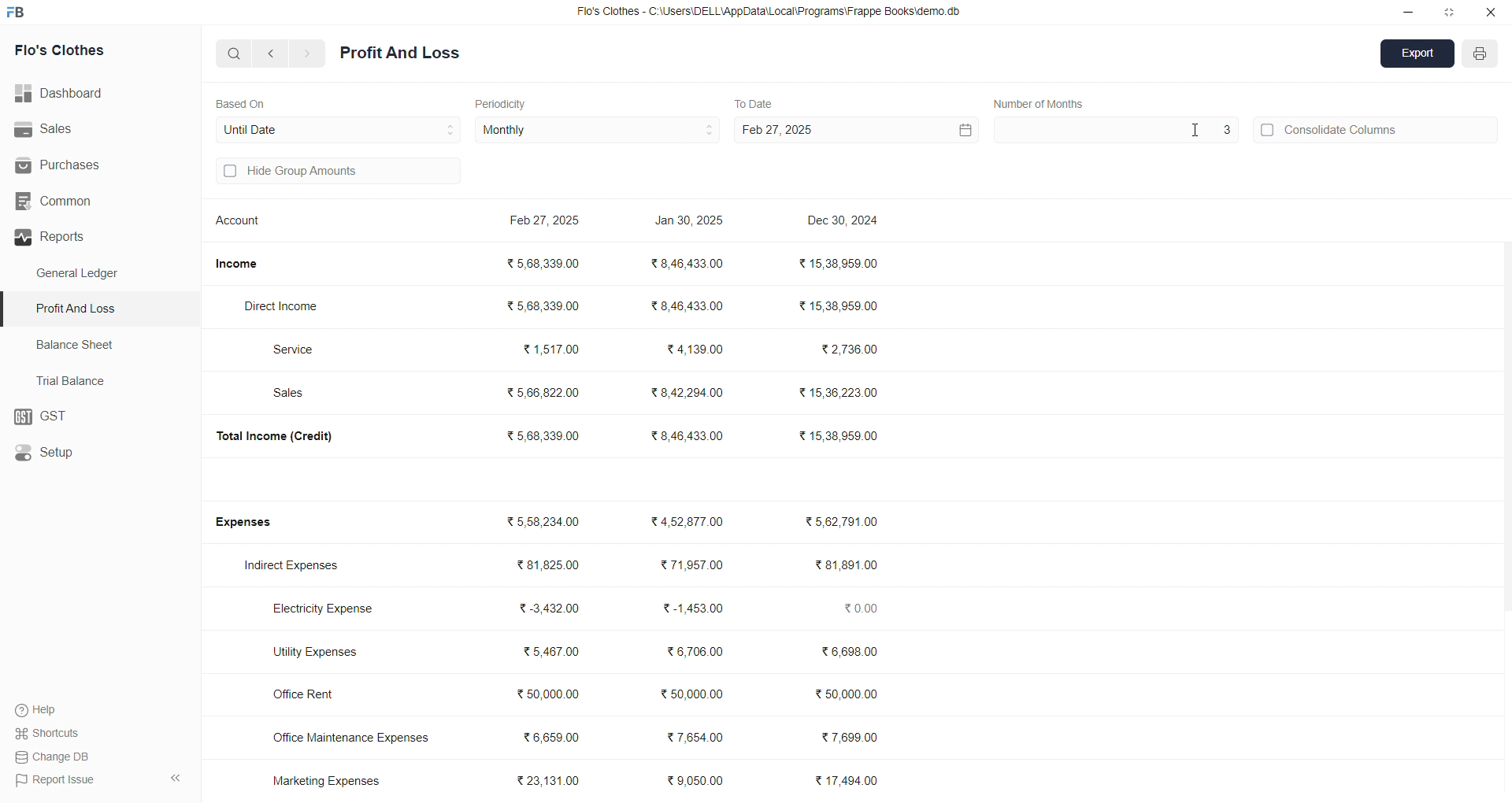 This screenshot has height=803, width=1512. I want to click on ₹5,58,234.00, so click(547, 522).